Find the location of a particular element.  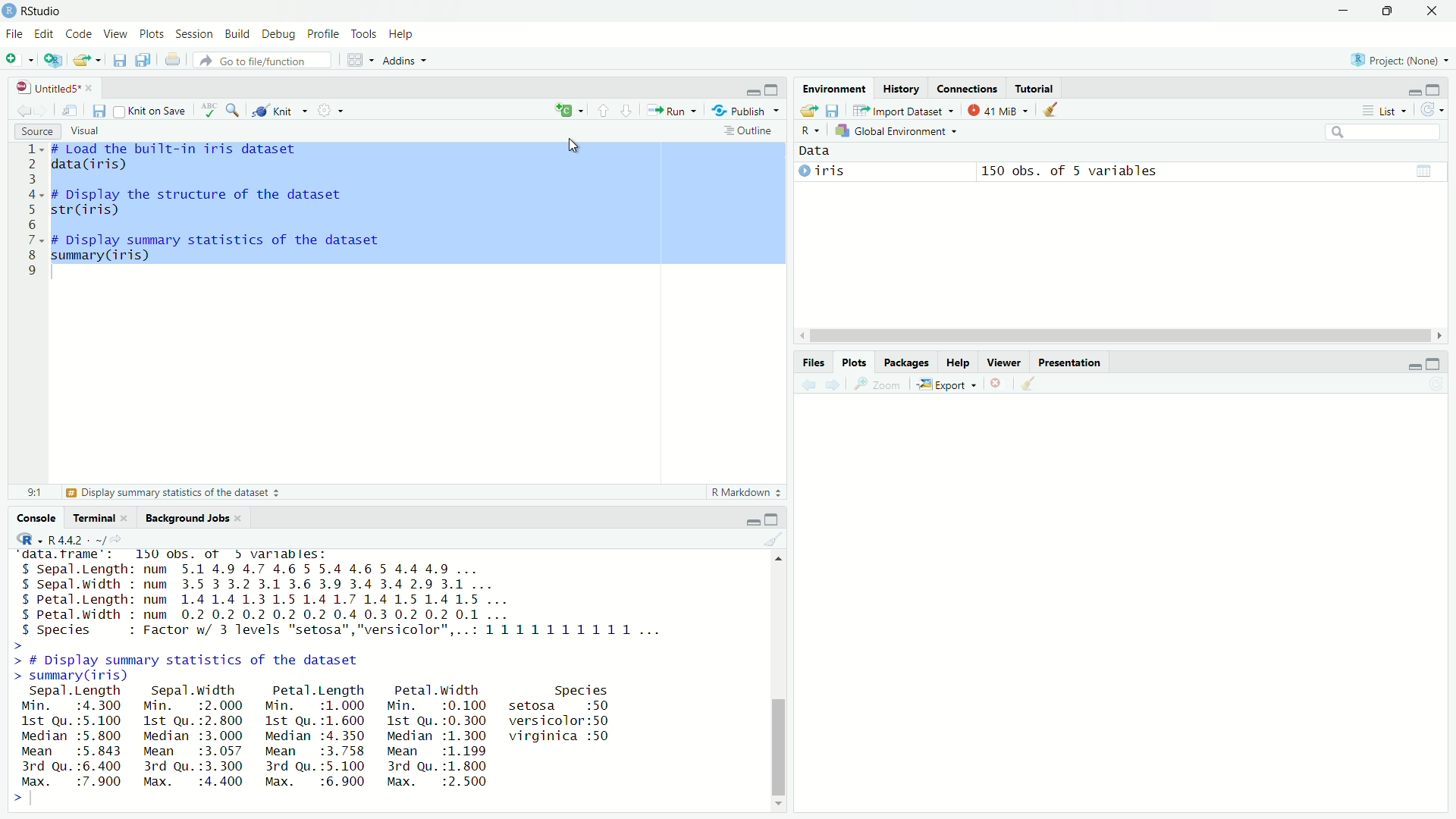

Hide is located at coordinates (1411, 90).